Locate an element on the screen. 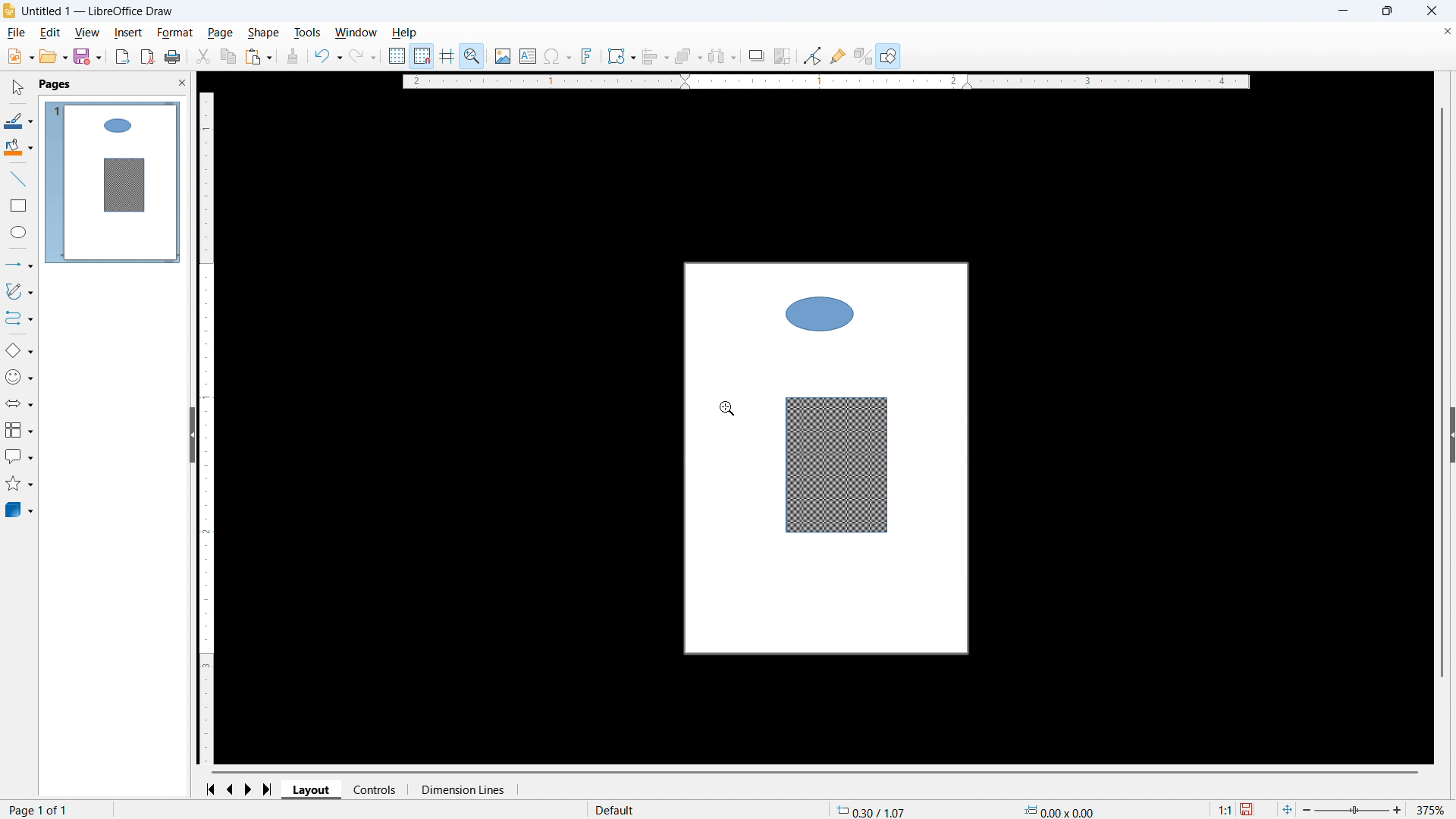 The height and width of the screenshot is (819, 1456). Arrange  is located at coordinates (688, 57).